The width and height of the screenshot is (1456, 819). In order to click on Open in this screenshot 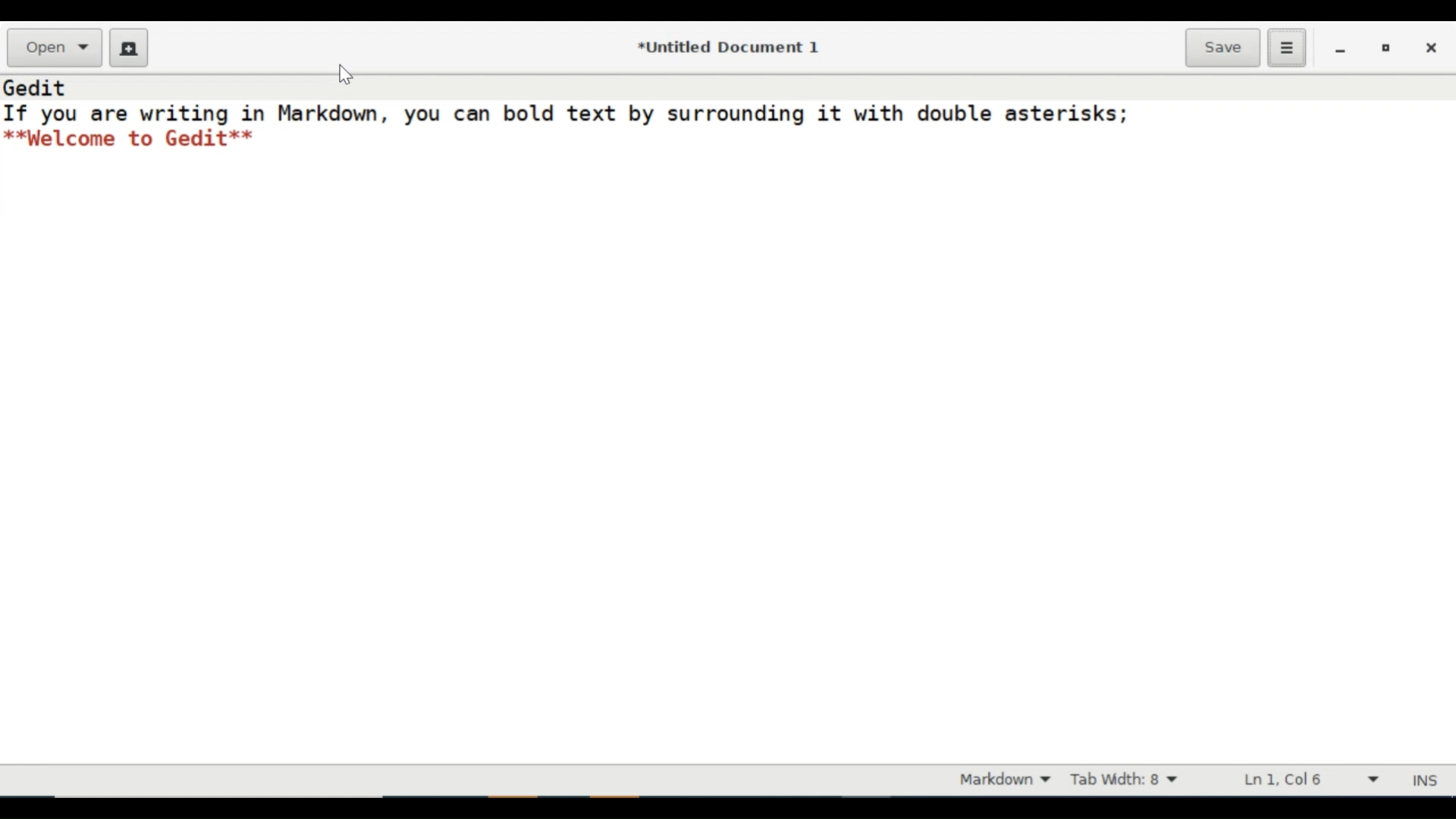, I will do `click(54, 47)`.